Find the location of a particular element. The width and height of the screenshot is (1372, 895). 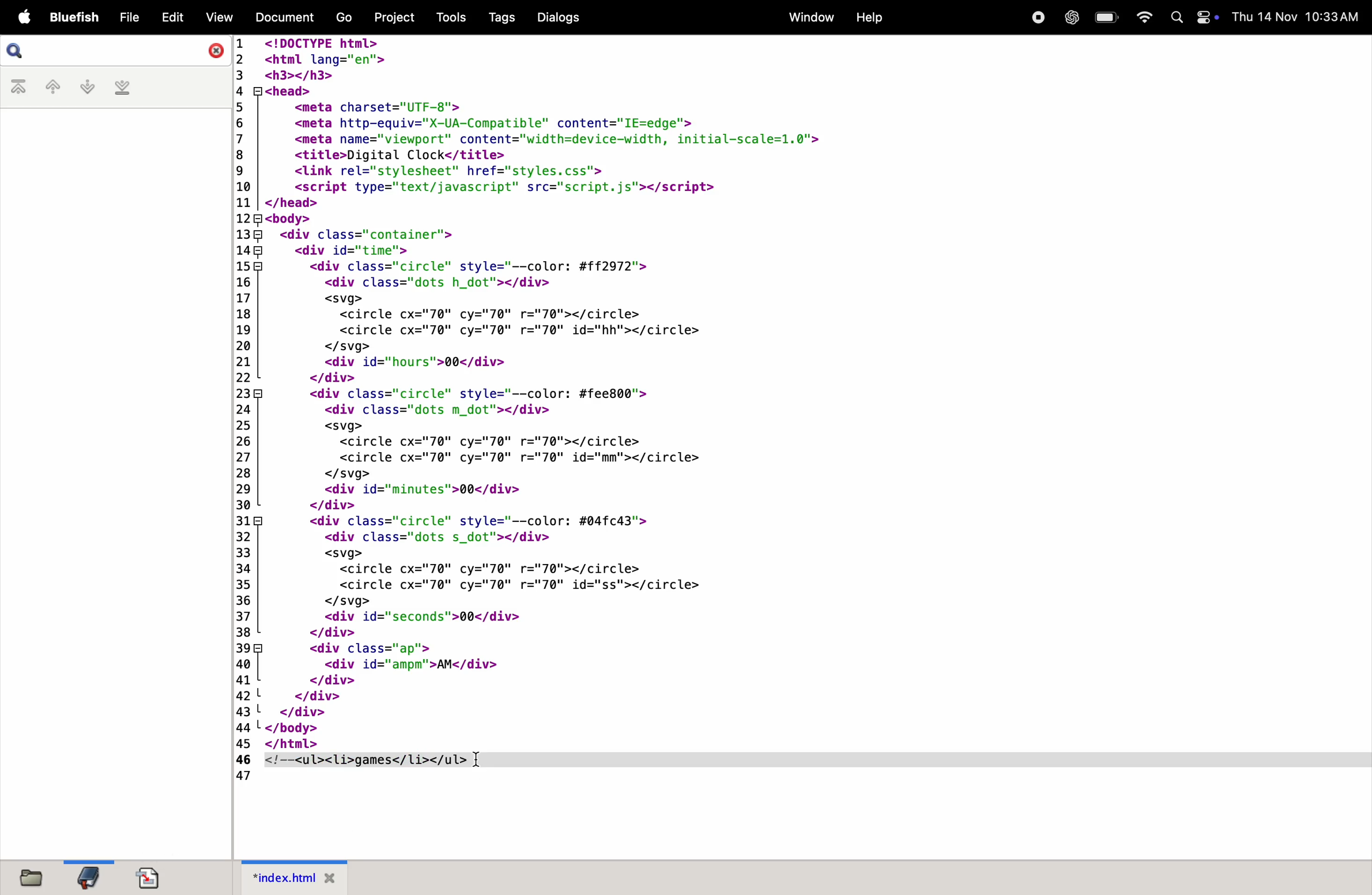

record is located at coordinates (1037, 18).